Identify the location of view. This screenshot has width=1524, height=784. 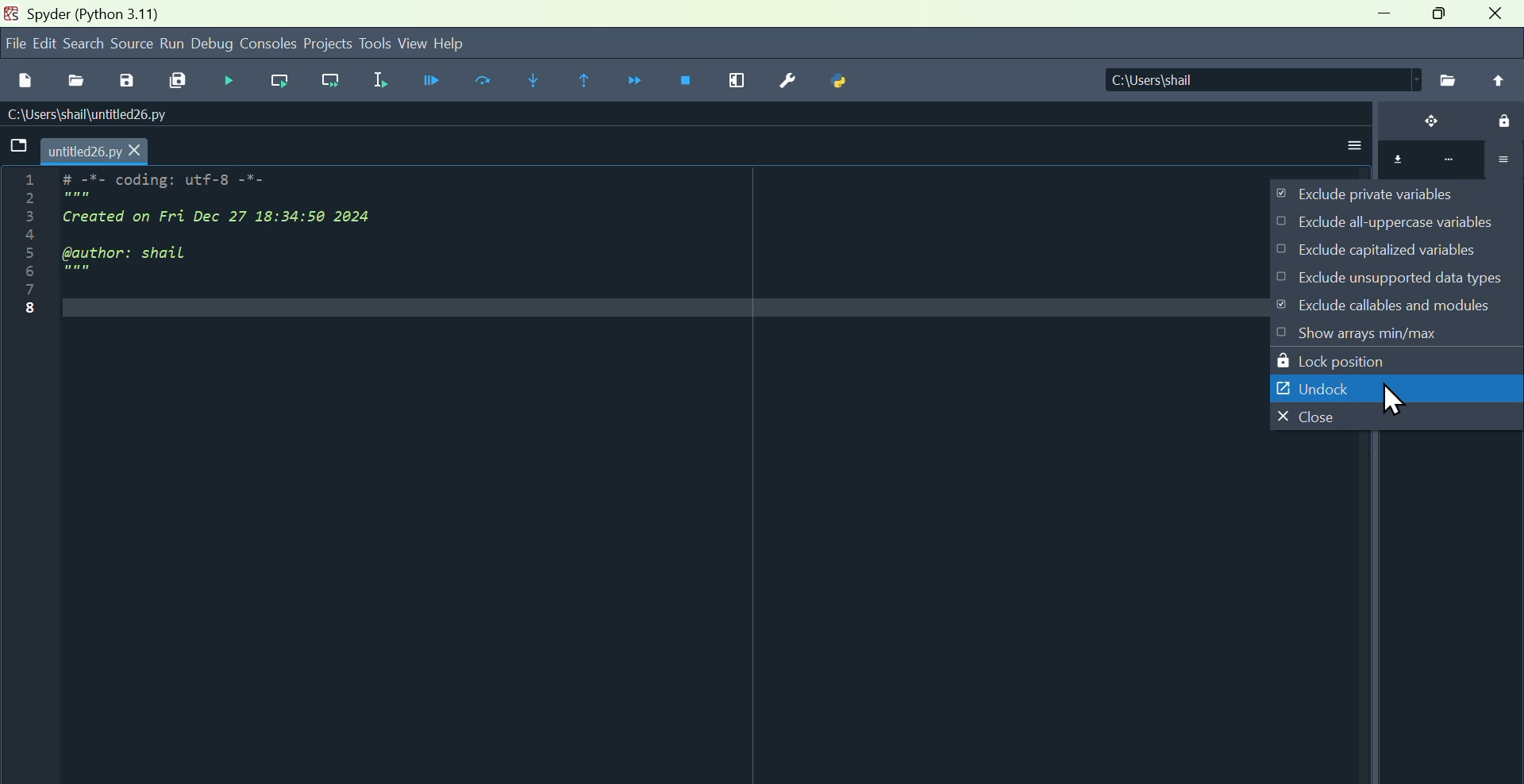
(412, 44).